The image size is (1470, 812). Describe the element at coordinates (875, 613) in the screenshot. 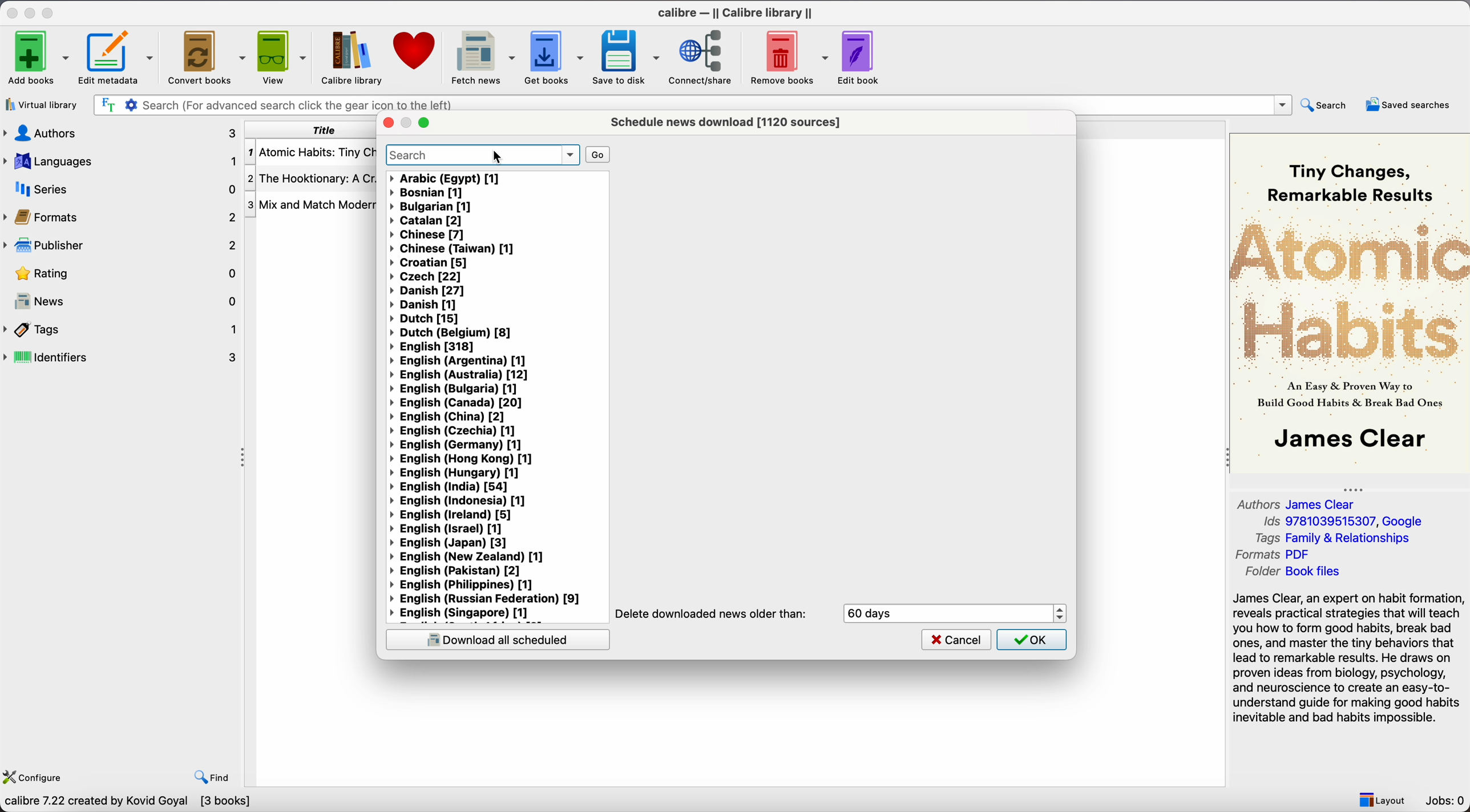

I see `60 days` at that location.